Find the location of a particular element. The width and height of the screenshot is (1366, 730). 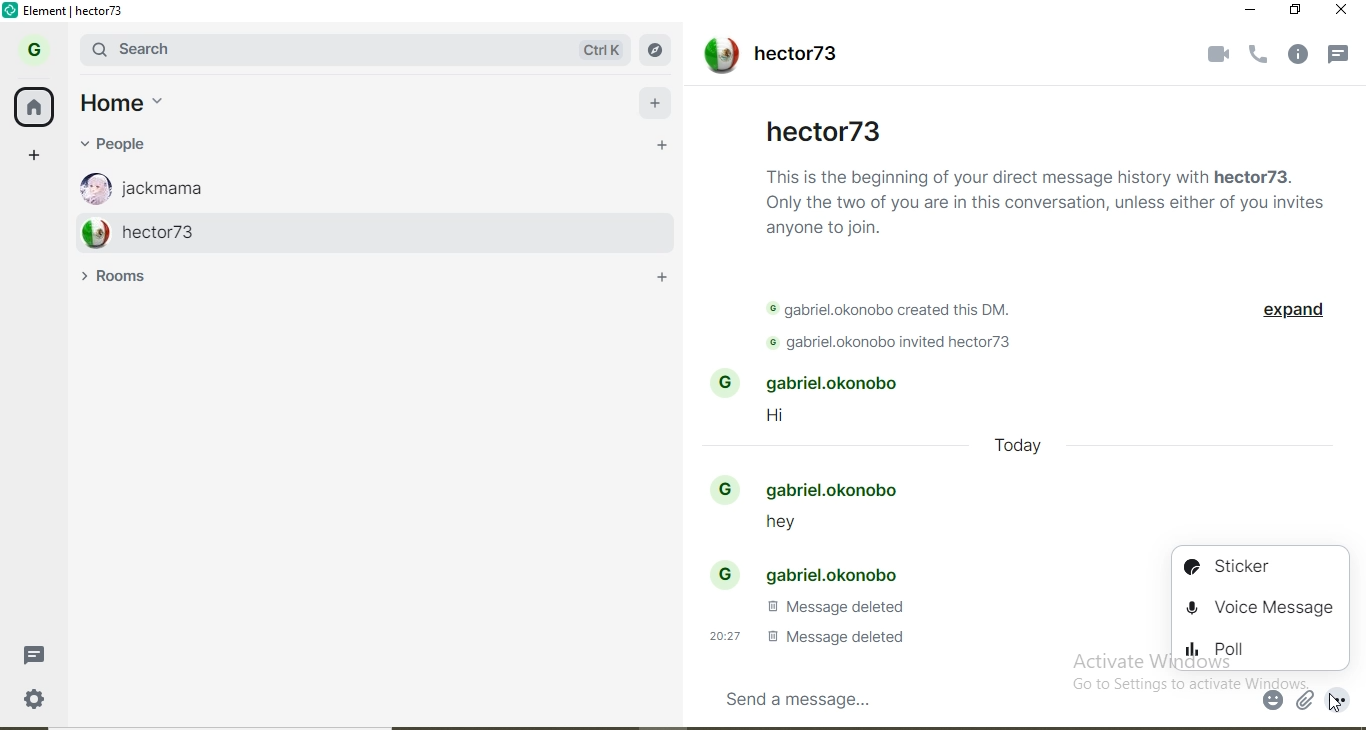

notifications is located at coordinates (1343, 57).